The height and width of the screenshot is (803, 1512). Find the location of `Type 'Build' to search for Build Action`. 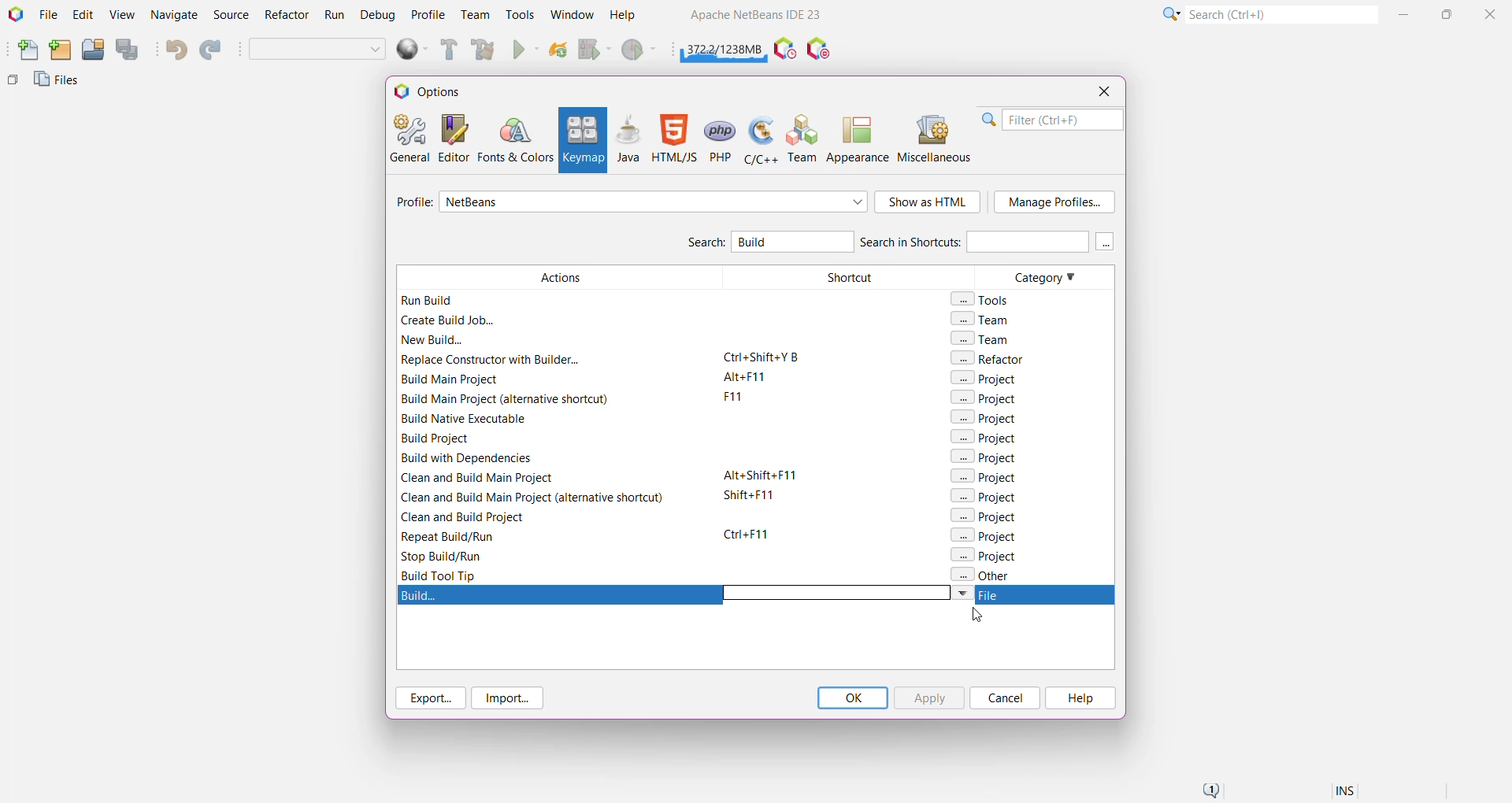

Type 'Build' to search for Build Action is located at coordinates (788, 243).